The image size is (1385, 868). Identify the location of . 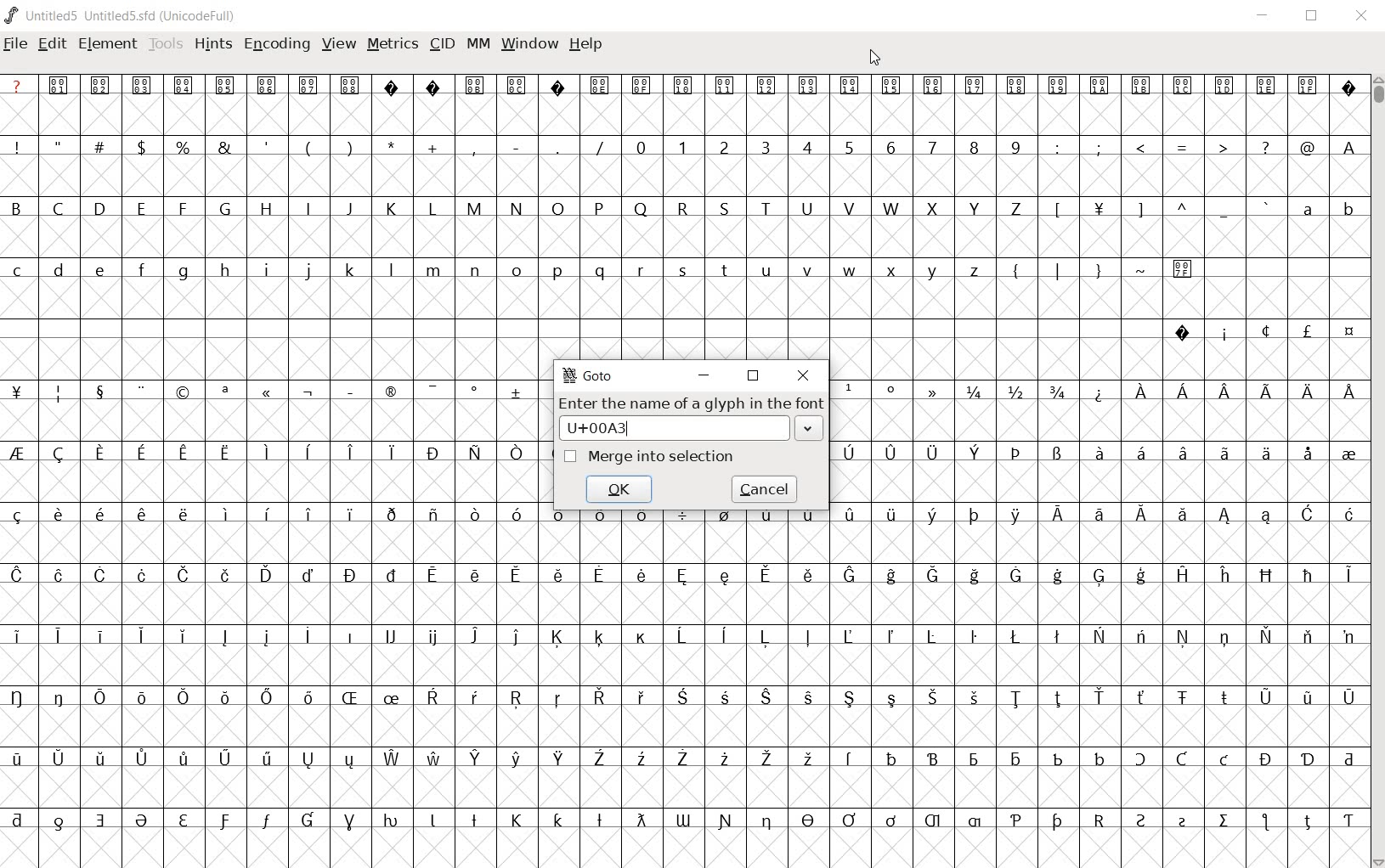
(266, 513).